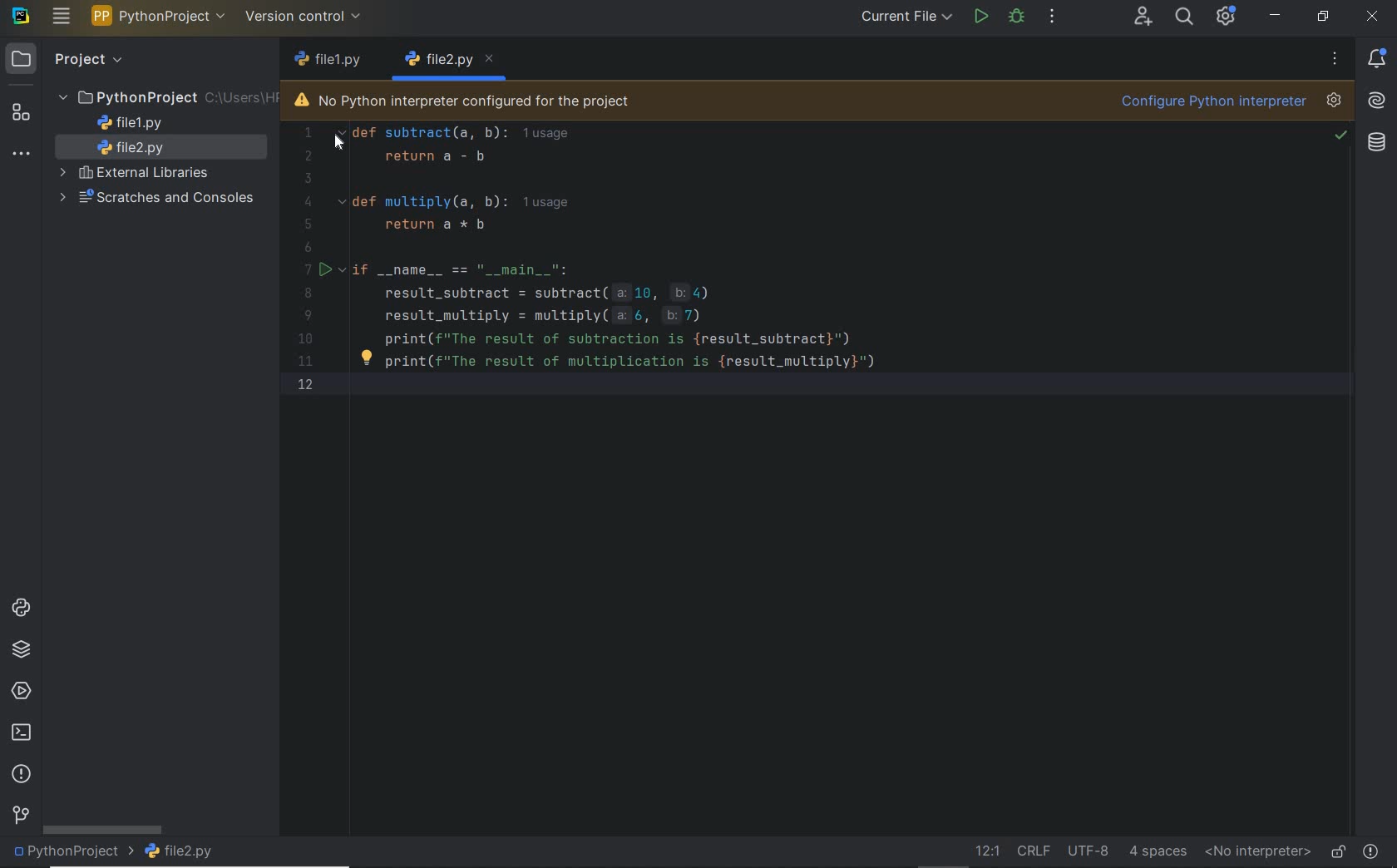  What do you see at coordinates (131, 123) in the screenshot?
I see `file name 1` at bounding box center [131, 123].